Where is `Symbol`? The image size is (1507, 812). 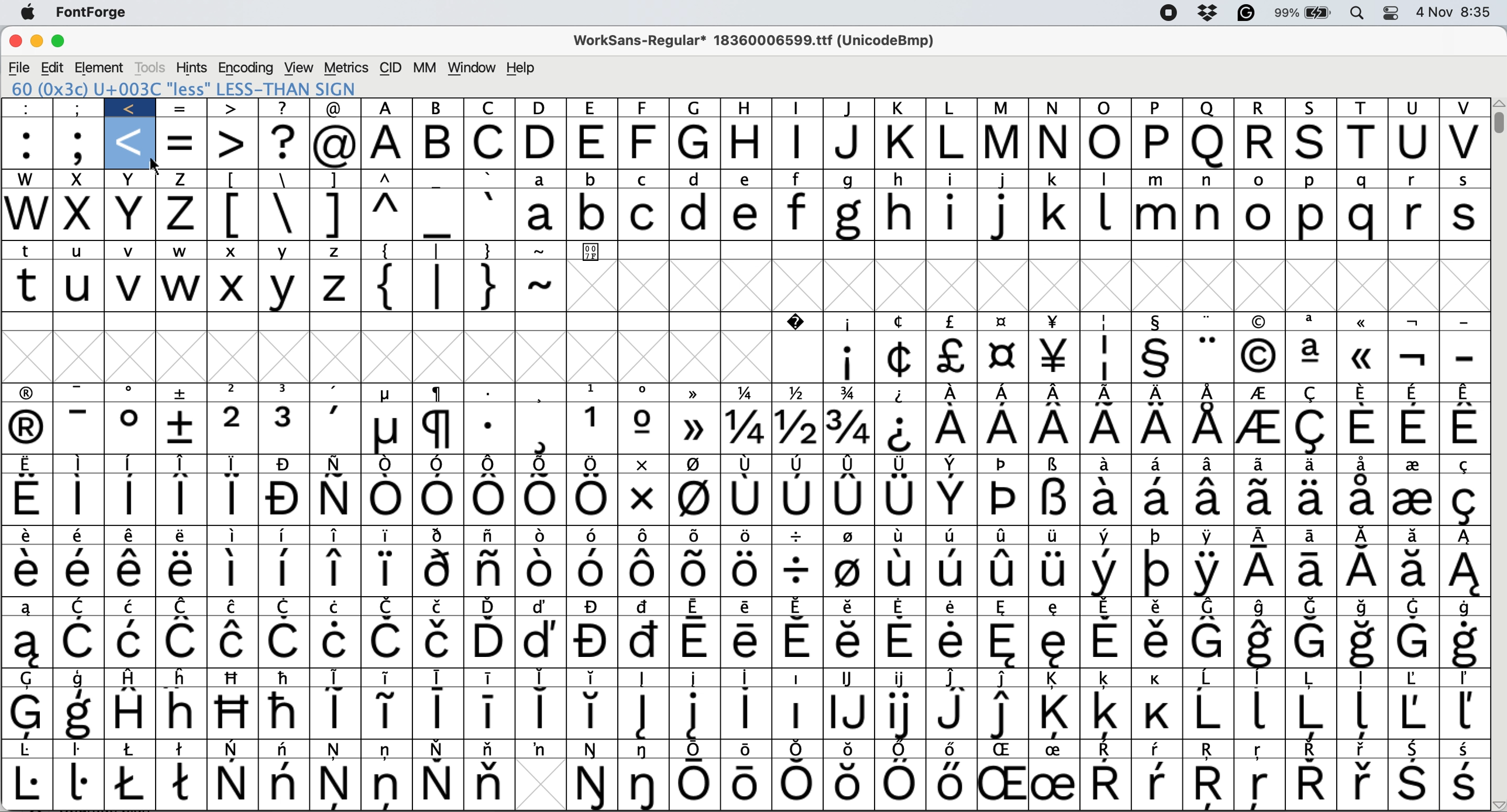
Symbol is located at coordinates (1209, 714).